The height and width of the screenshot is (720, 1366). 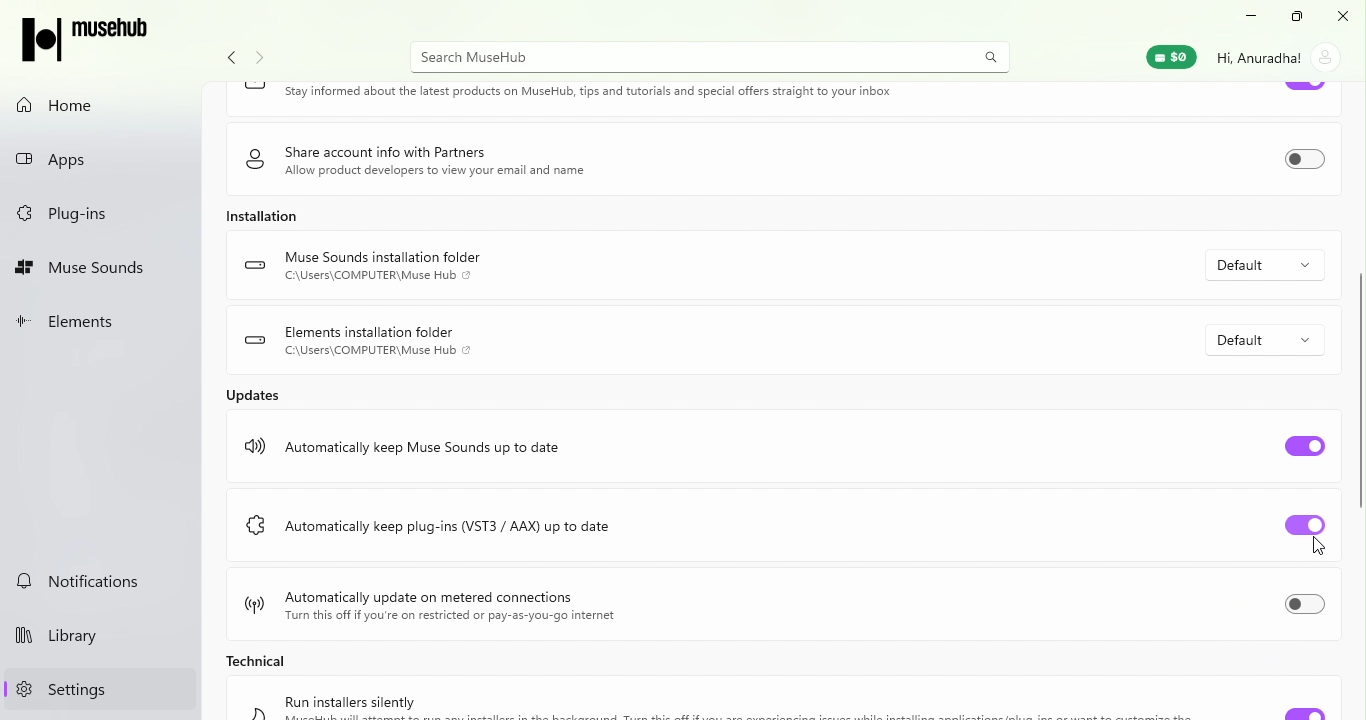 I want to click on Run installers silently, so click(x=352, y=700).